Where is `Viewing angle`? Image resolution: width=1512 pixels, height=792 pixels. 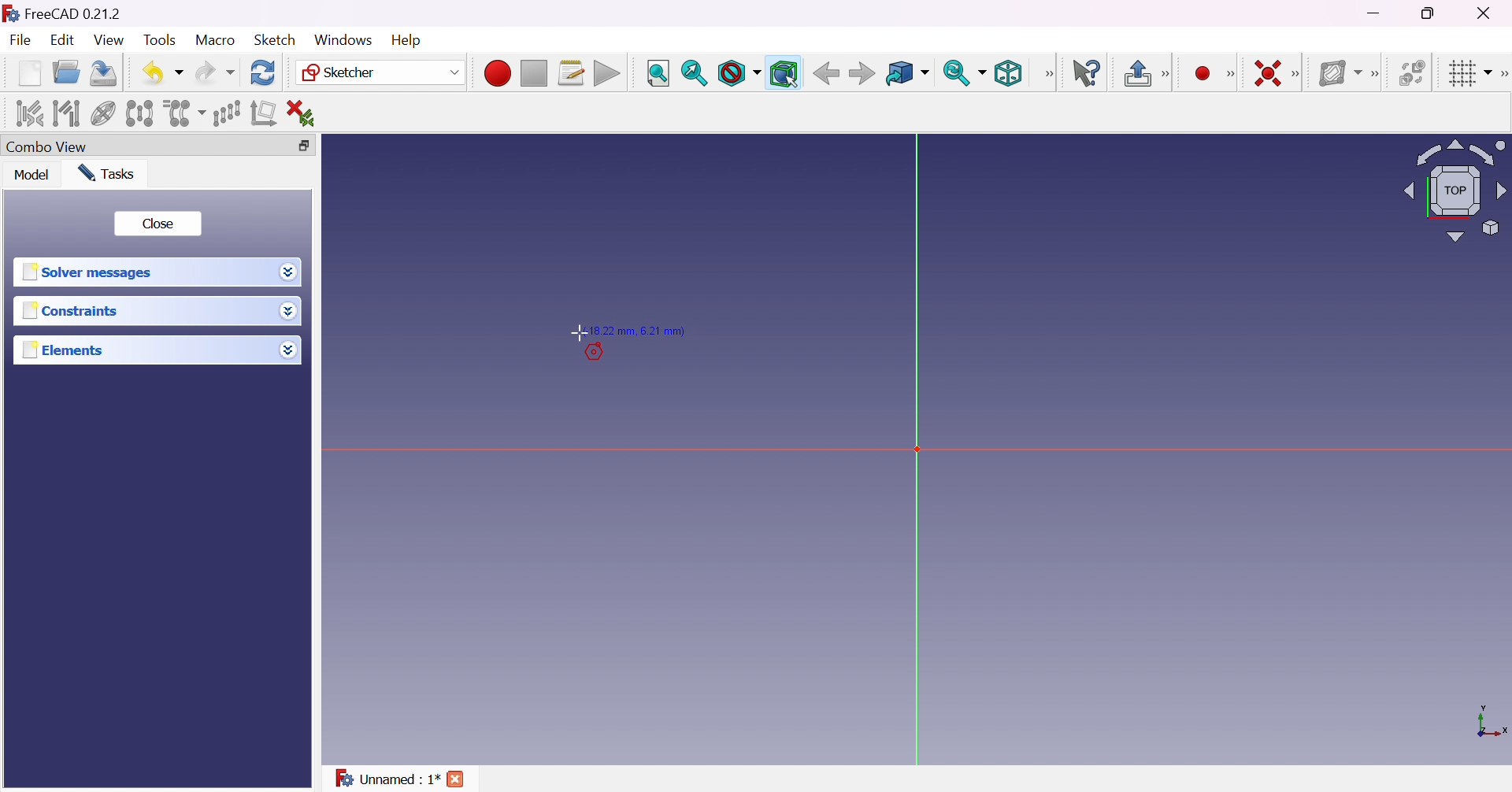
Viewing angle is located at coordinates (1454, 189).